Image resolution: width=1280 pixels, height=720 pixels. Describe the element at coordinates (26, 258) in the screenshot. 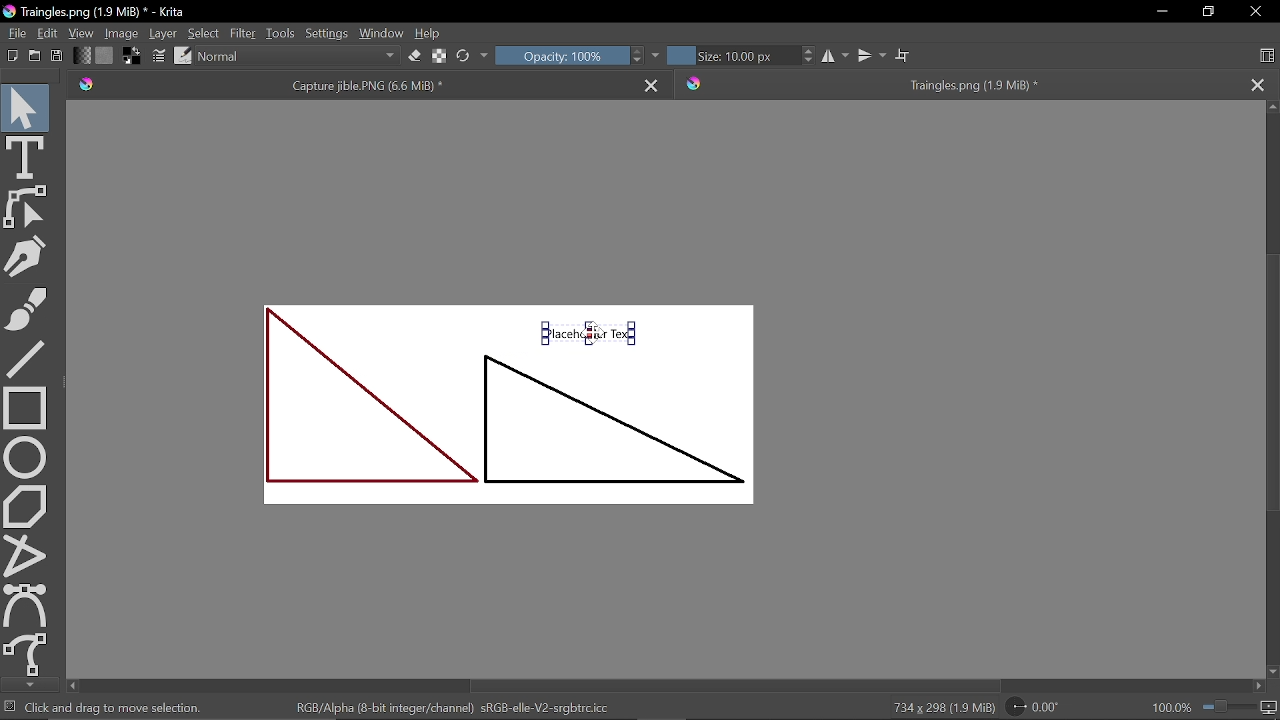

I see `Calligraphy` at that location.